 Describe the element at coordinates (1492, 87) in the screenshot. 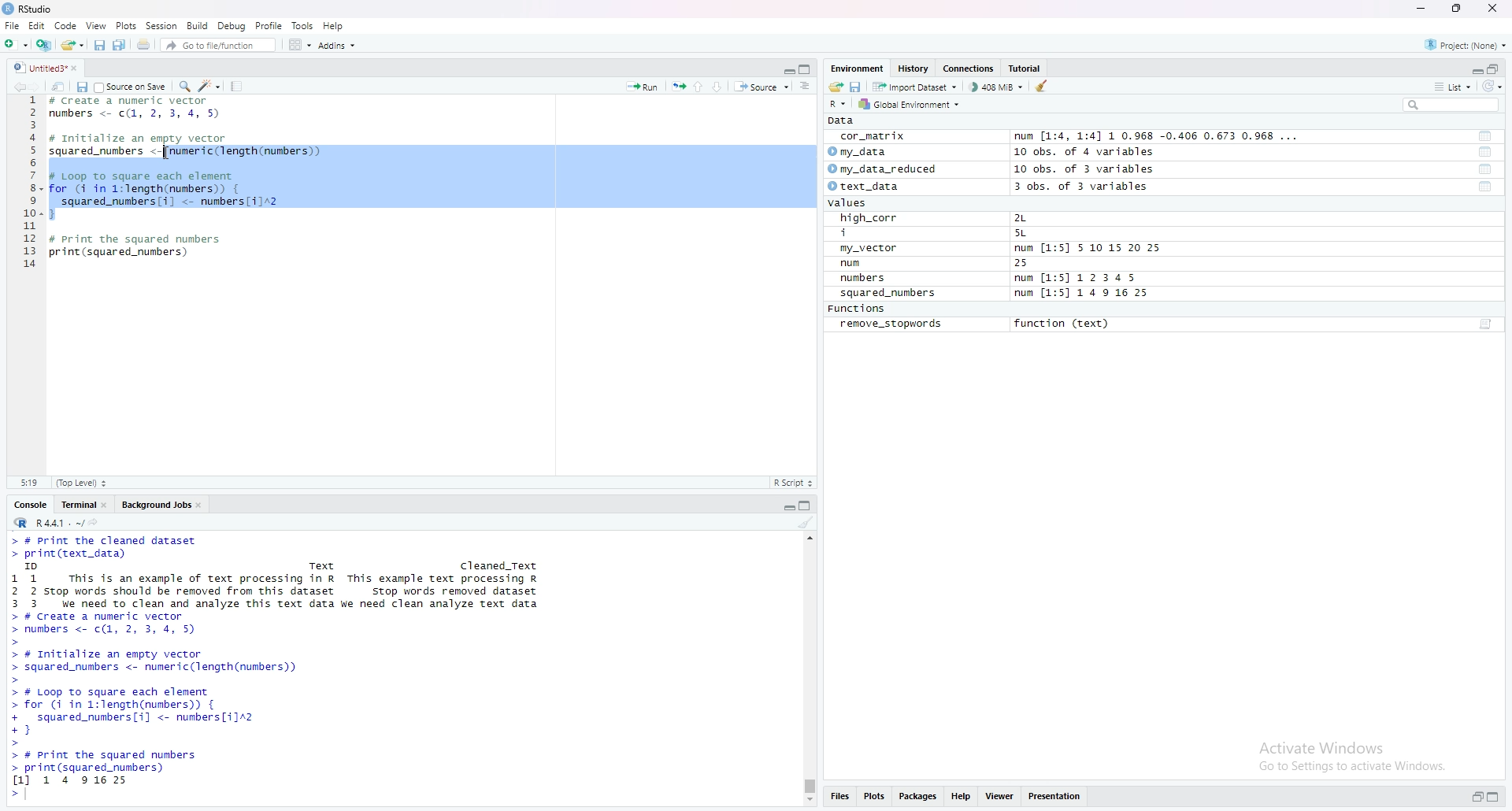

I see `refresh options` at that location.